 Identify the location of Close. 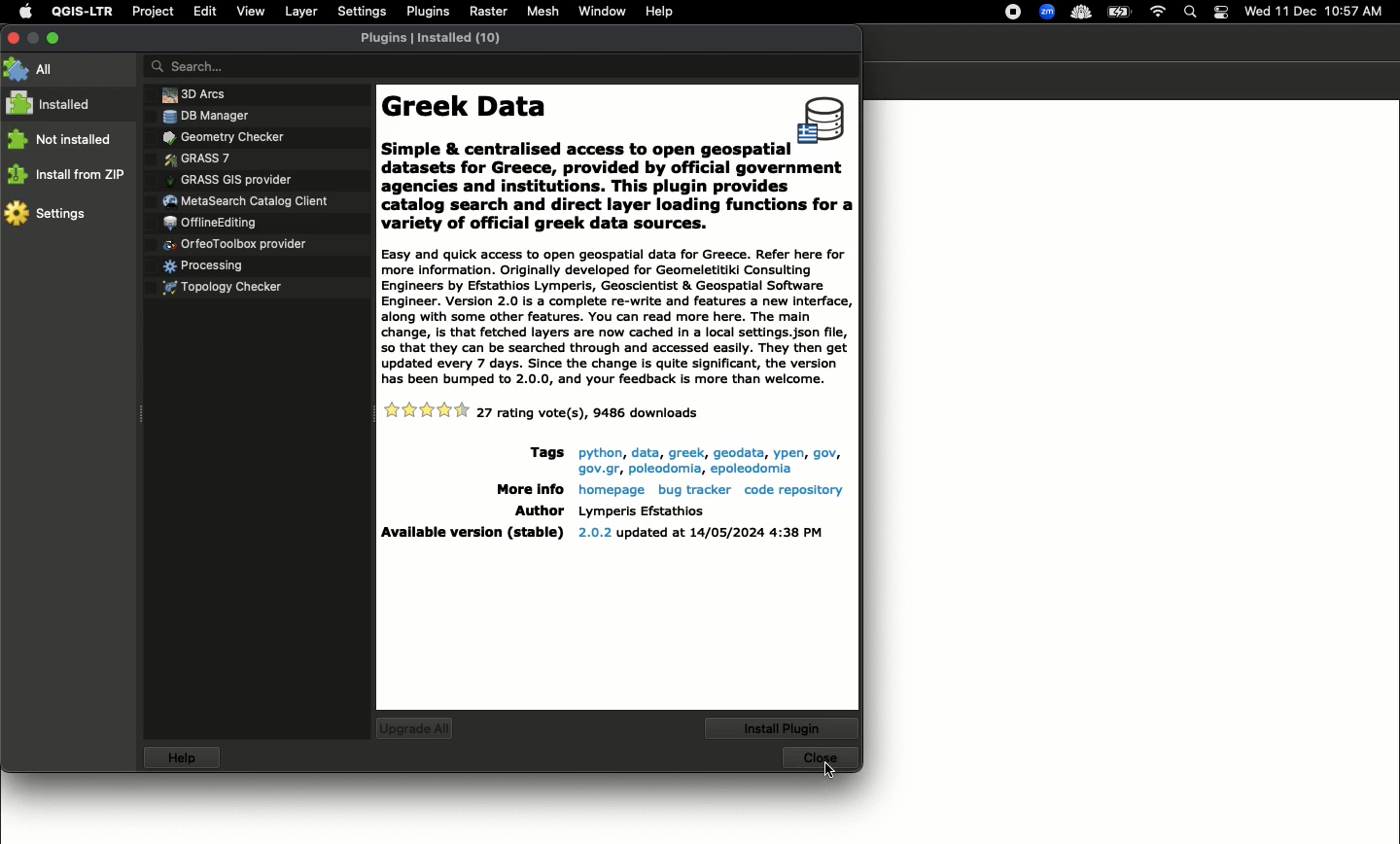
(825, 760).